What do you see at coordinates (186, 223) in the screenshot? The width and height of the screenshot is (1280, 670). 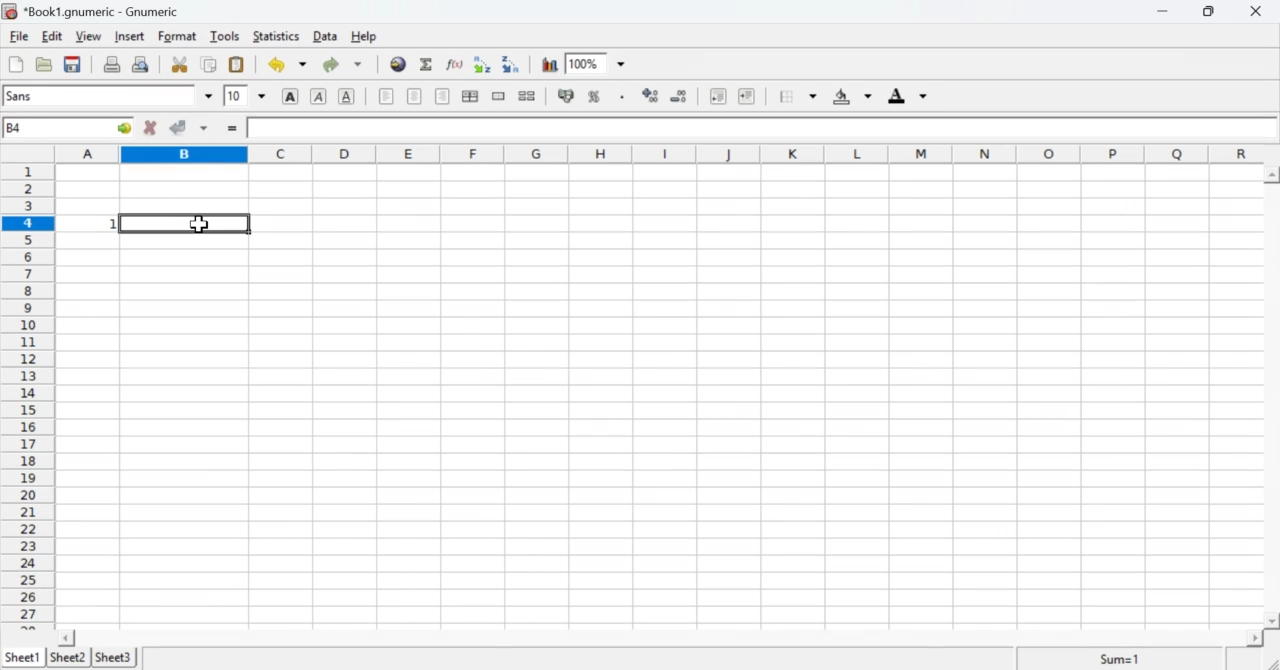 I see `selected cell` at bounding box center [186, 223].